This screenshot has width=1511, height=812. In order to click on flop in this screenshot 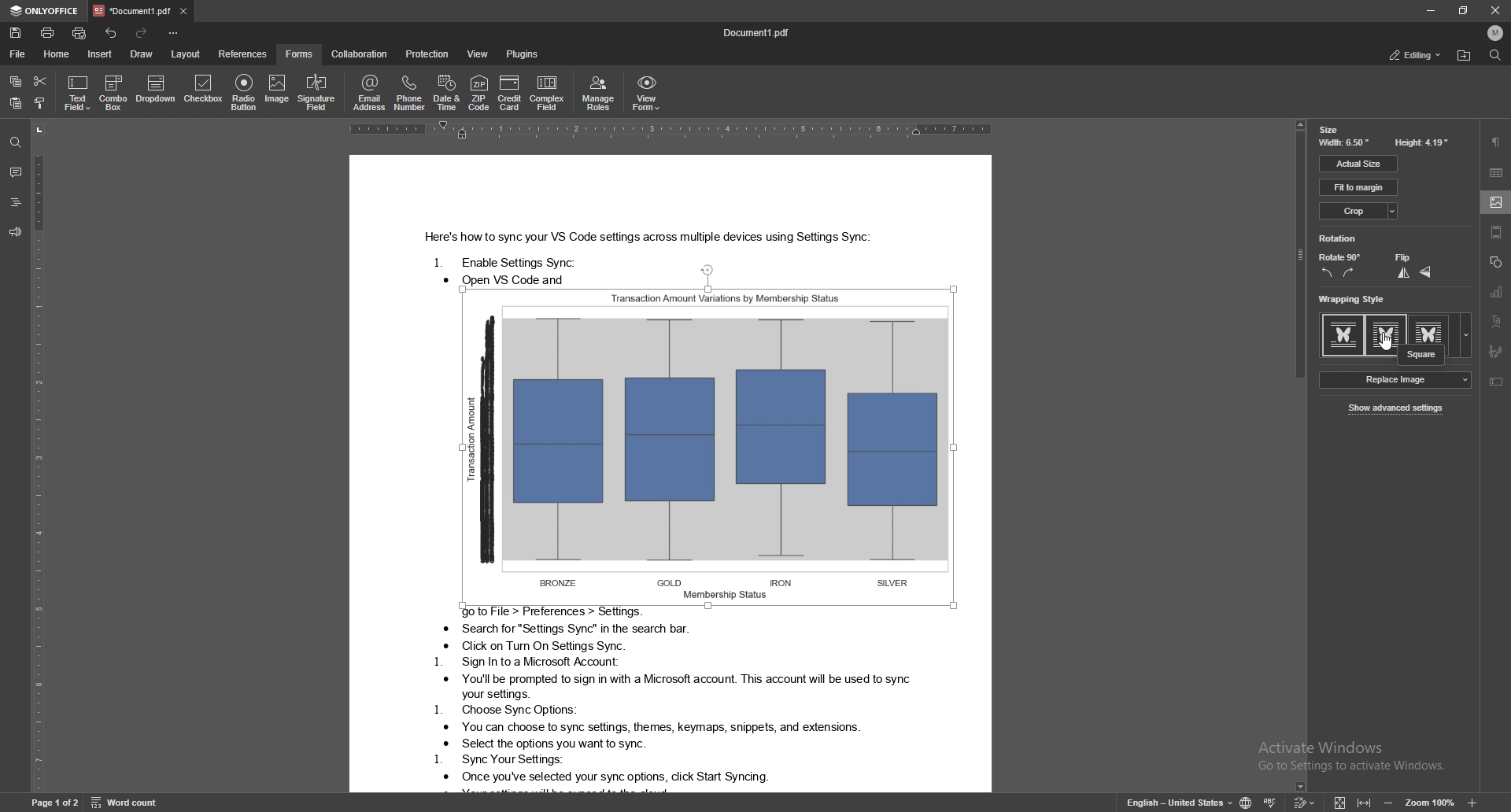, I will do `click(1426, 273)`.